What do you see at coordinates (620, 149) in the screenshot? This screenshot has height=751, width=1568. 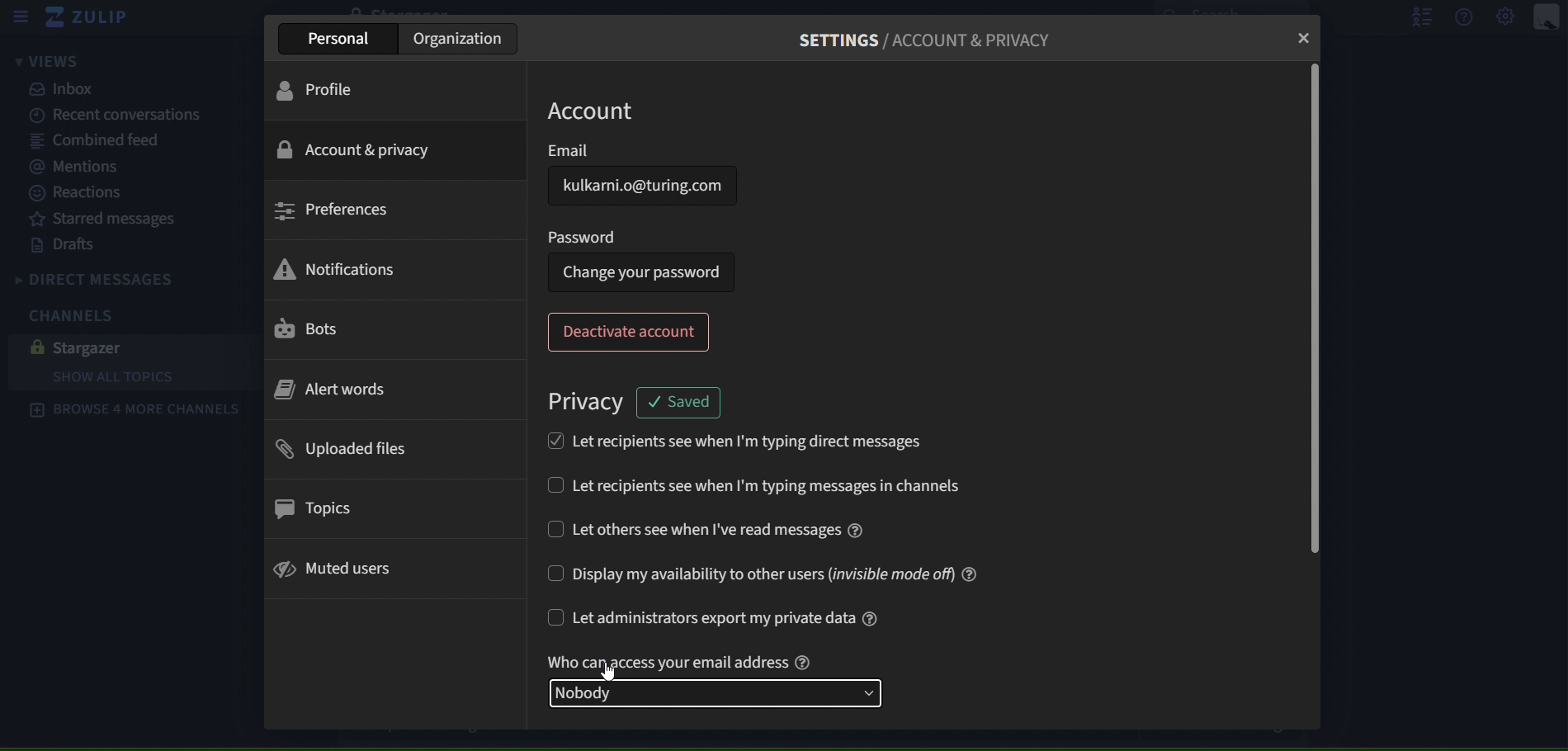 I see `email` at bounding box center [620, 149].